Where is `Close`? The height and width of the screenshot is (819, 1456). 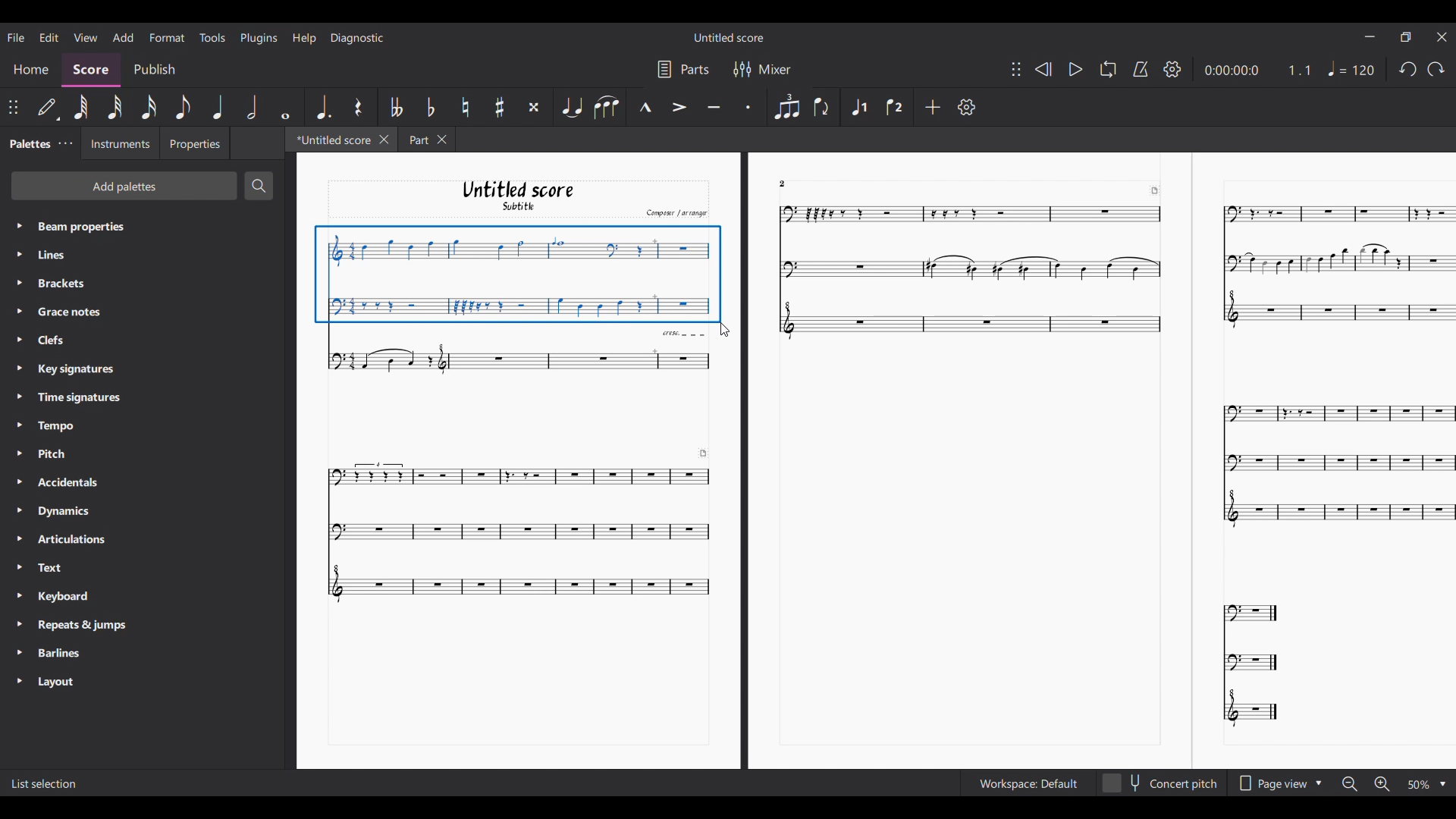 Close is located at coordinates (444, 140).